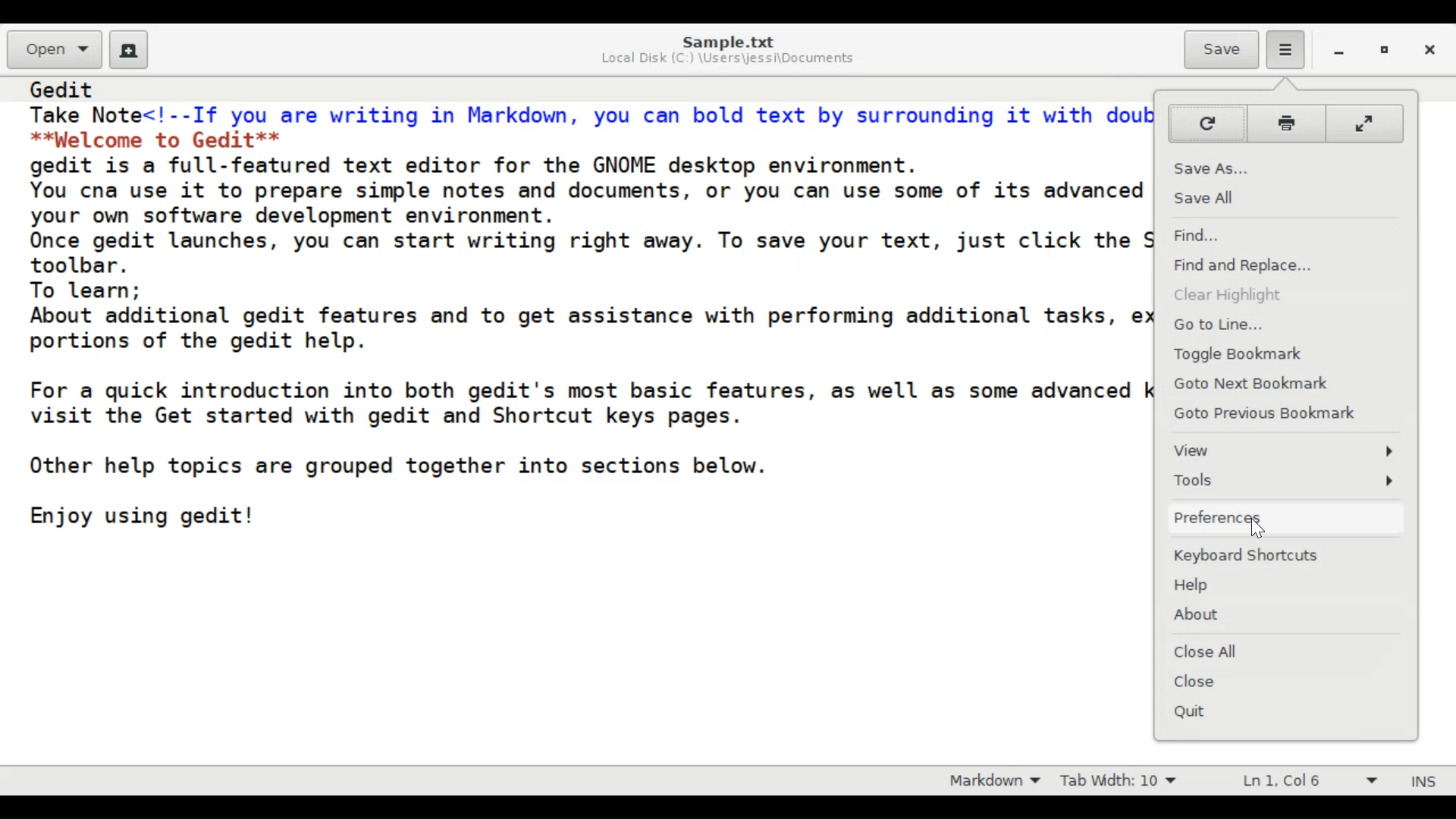  I want to click on Fullscreen, so click(1363, 123).